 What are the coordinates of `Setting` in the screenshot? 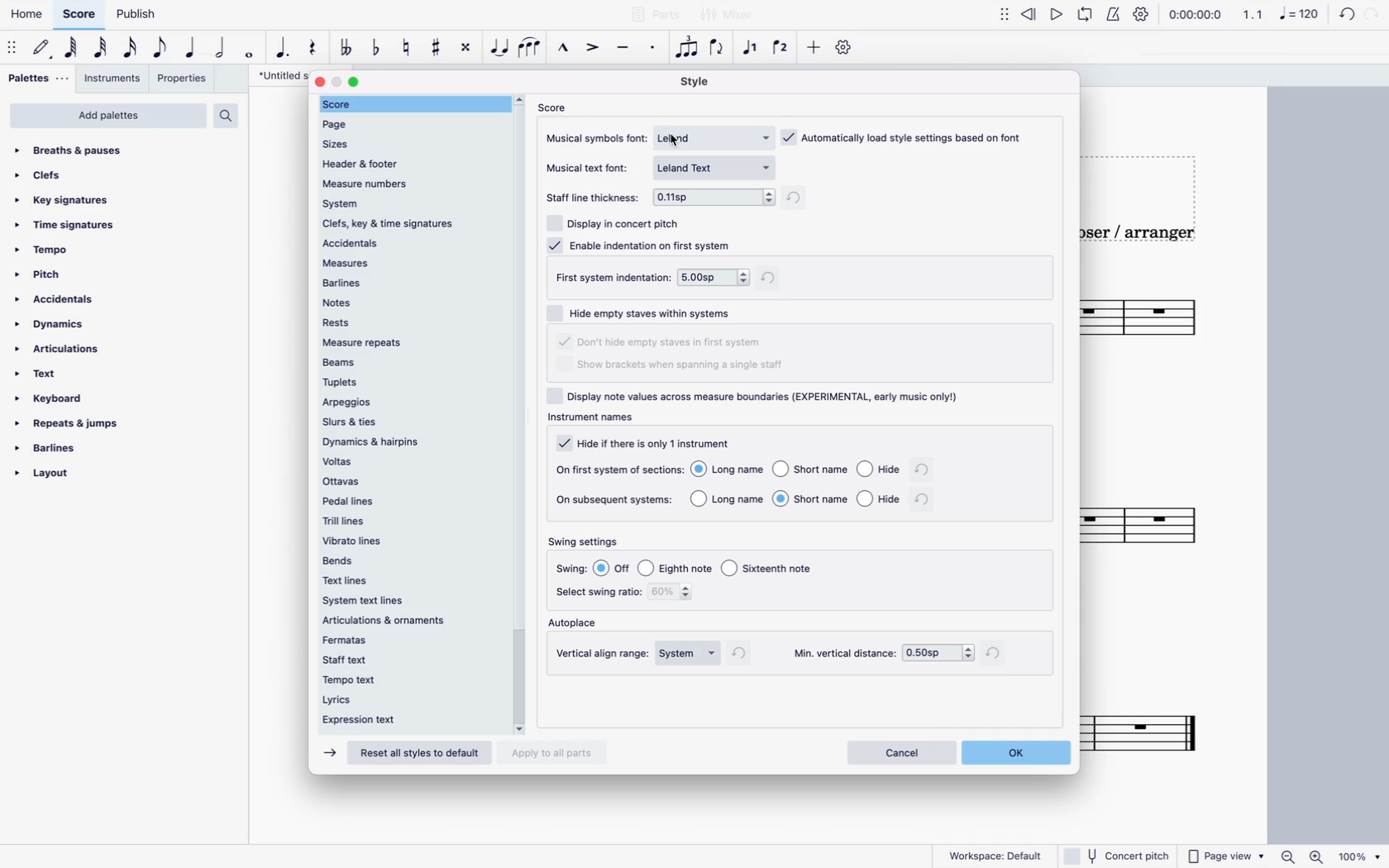 It's located at (1143, 13).